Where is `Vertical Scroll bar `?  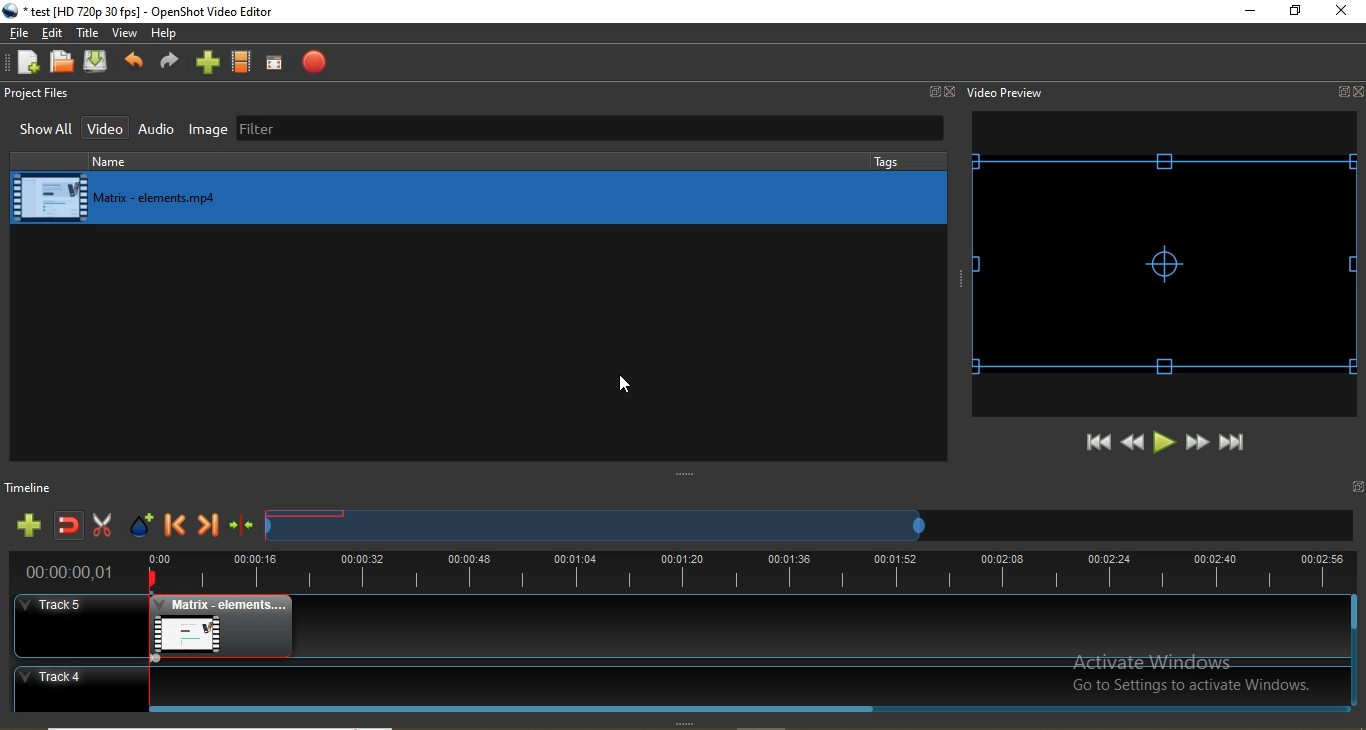 Vertical Scroll bar  is located at coordinates (1357, 652).